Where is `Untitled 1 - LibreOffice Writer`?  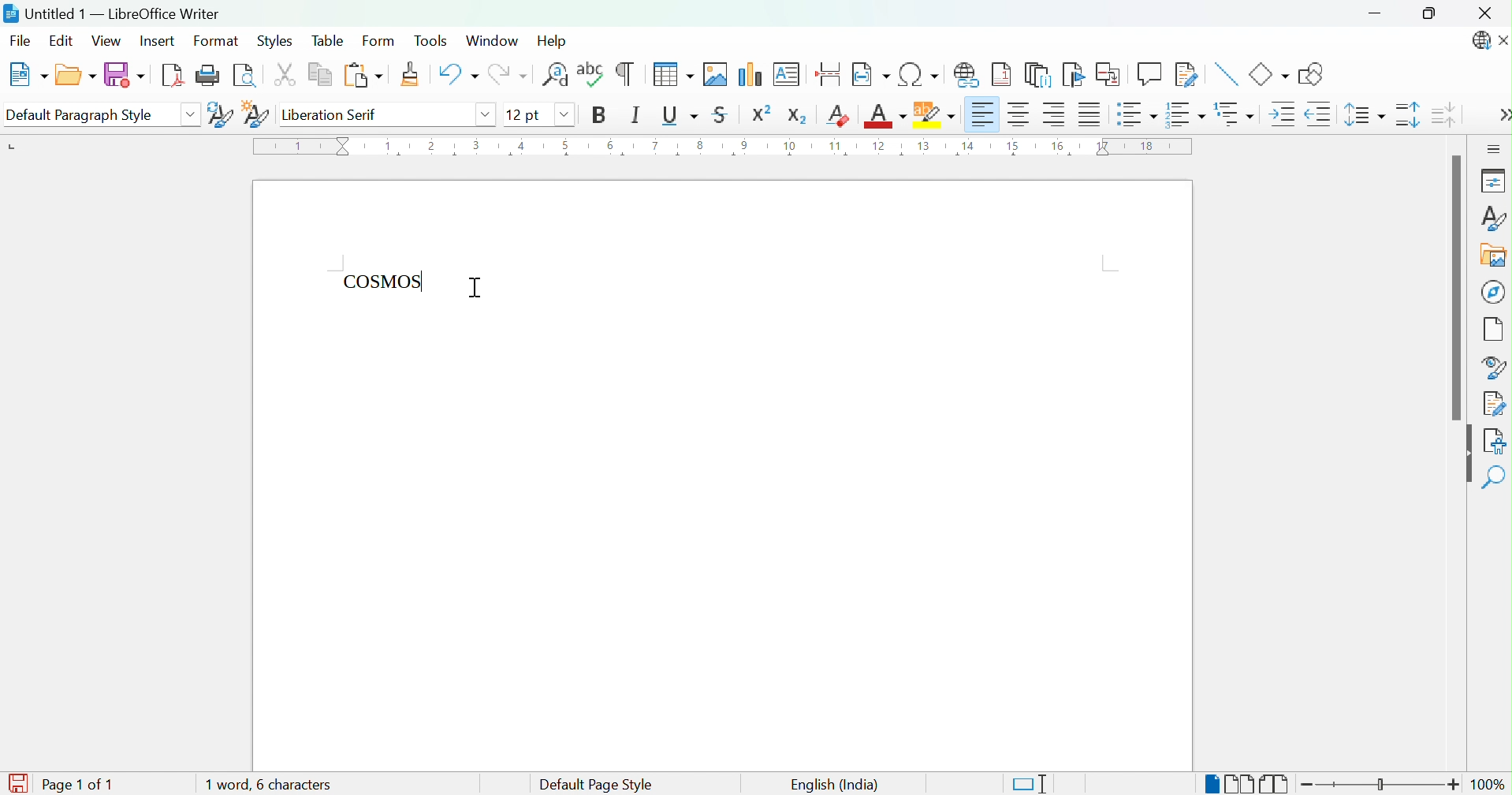 Untitled 1 - LibreOffice Writer is located at coordinates (113, 12).